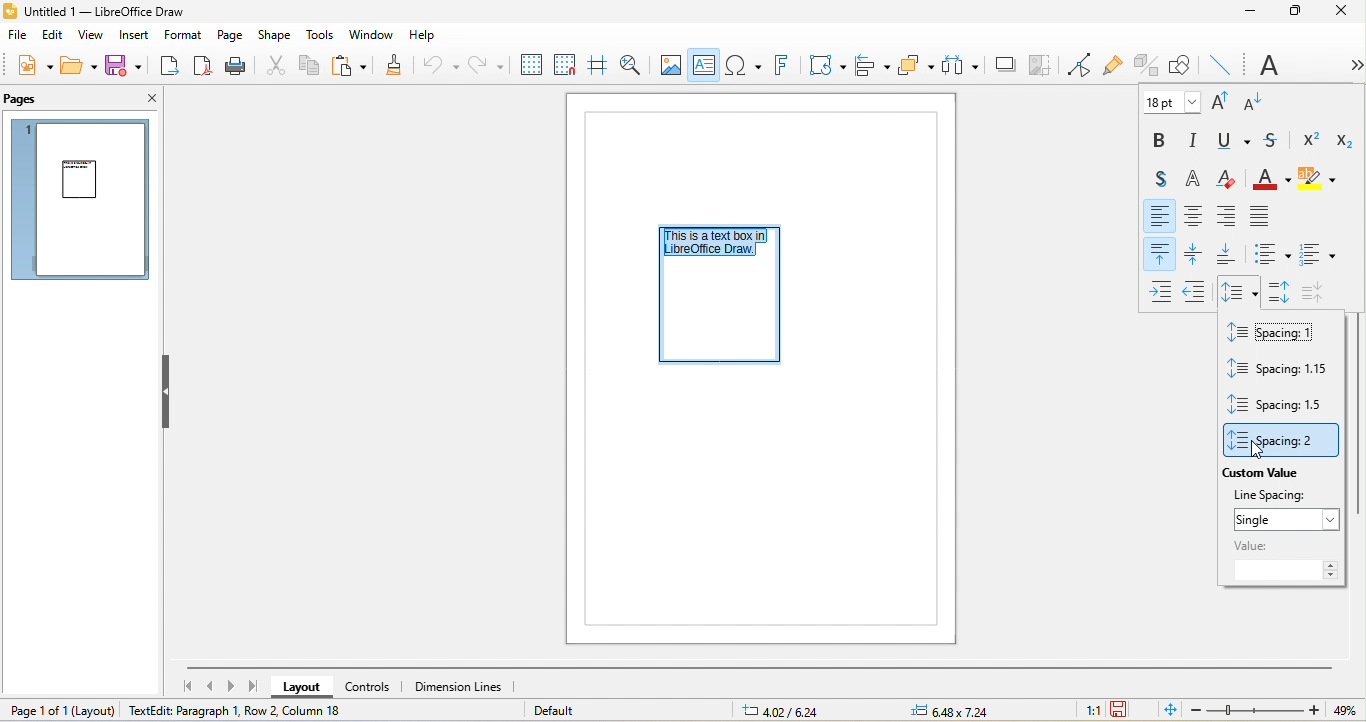 The image size is (1366, 722). Describe the element at coordinates (1179, 63) in the screenshot. I see `show draw function` at that location.